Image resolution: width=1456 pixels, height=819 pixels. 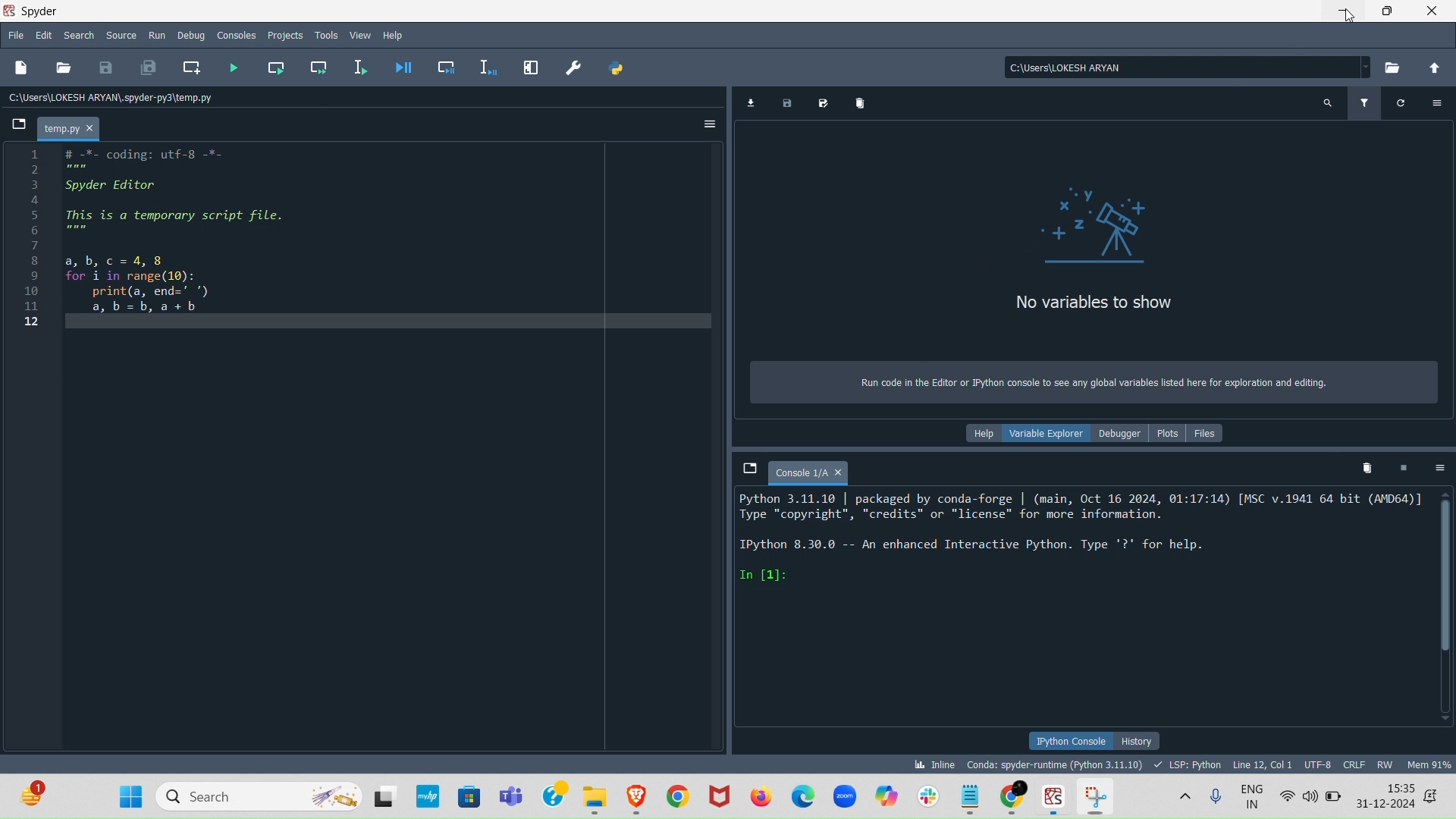 What do you see at coordinates (754, 101) in the screenshot?
I see `Import data` at bounding box center [754, 101].